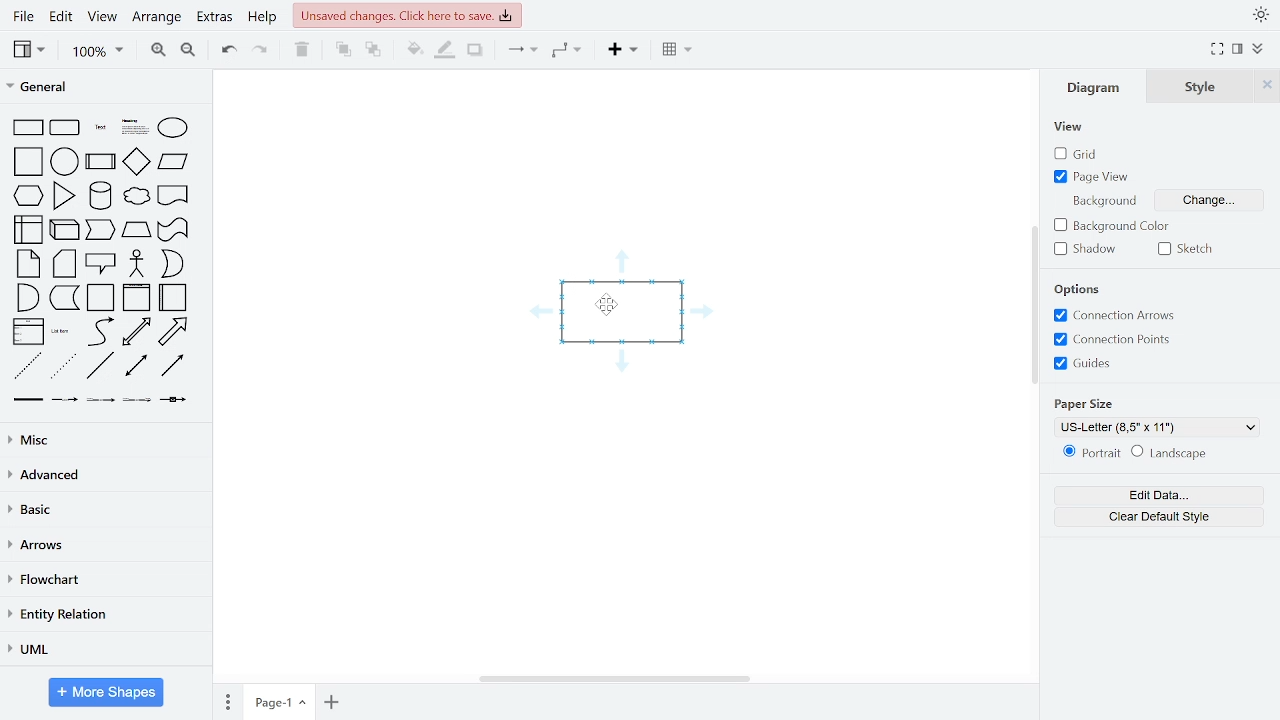 The image size is (1280, 720). Describe the element at coordinates (173, 196) in the screenshot. I see `document` at that location.